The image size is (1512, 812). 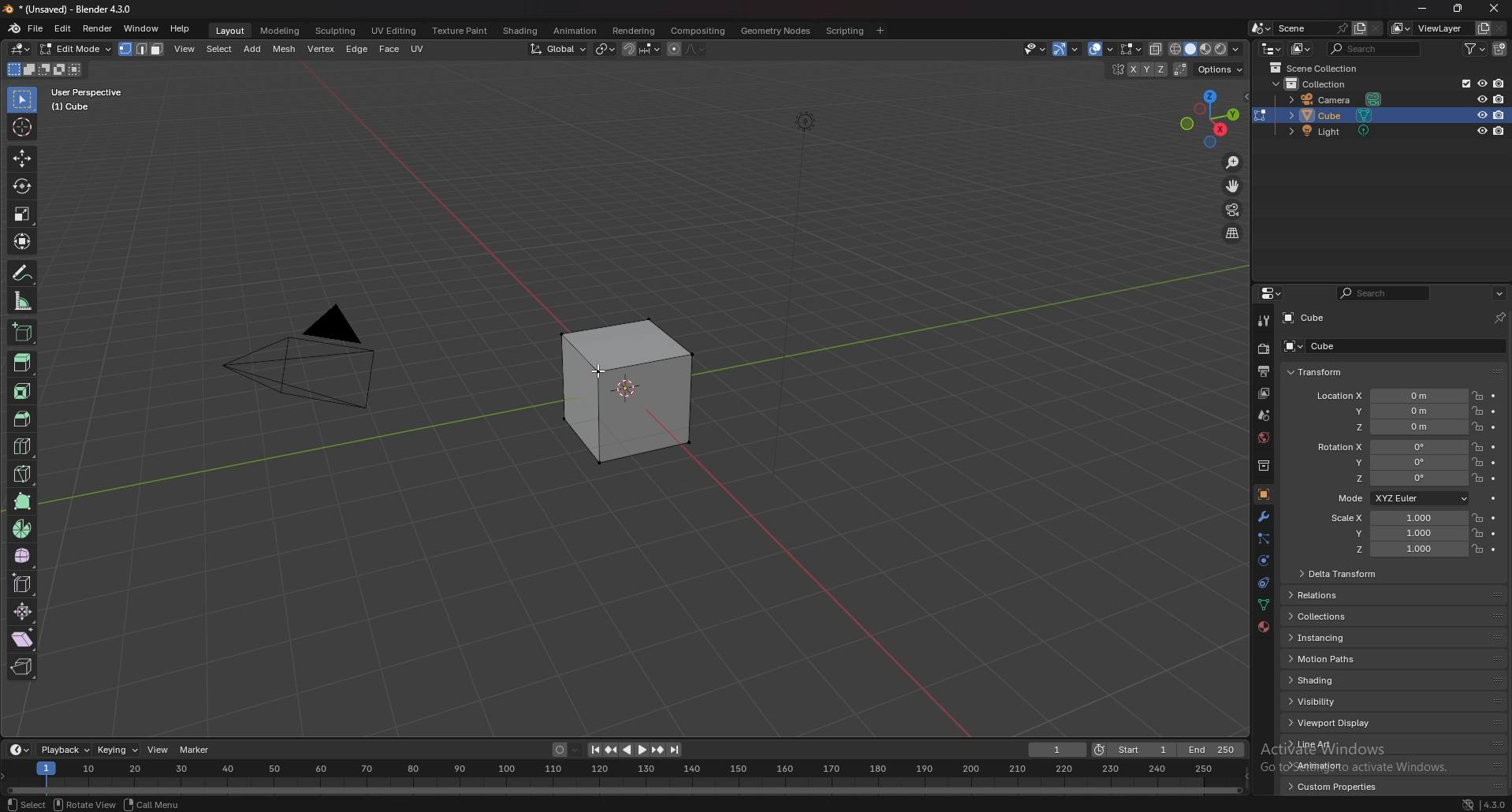 I want to click on start, so click(x=1131, y=750).